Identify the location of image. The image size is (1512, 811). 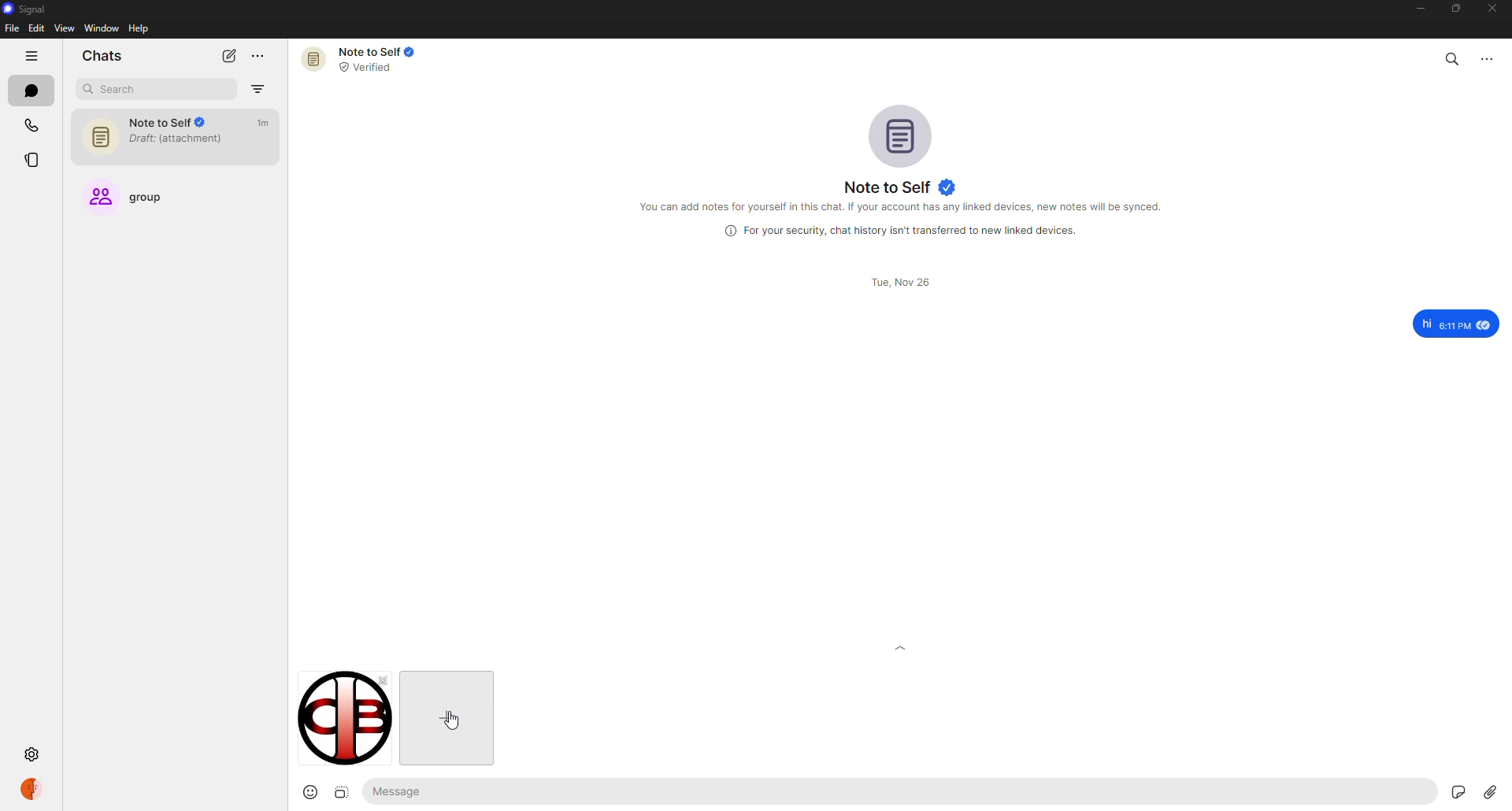
(346, 727).